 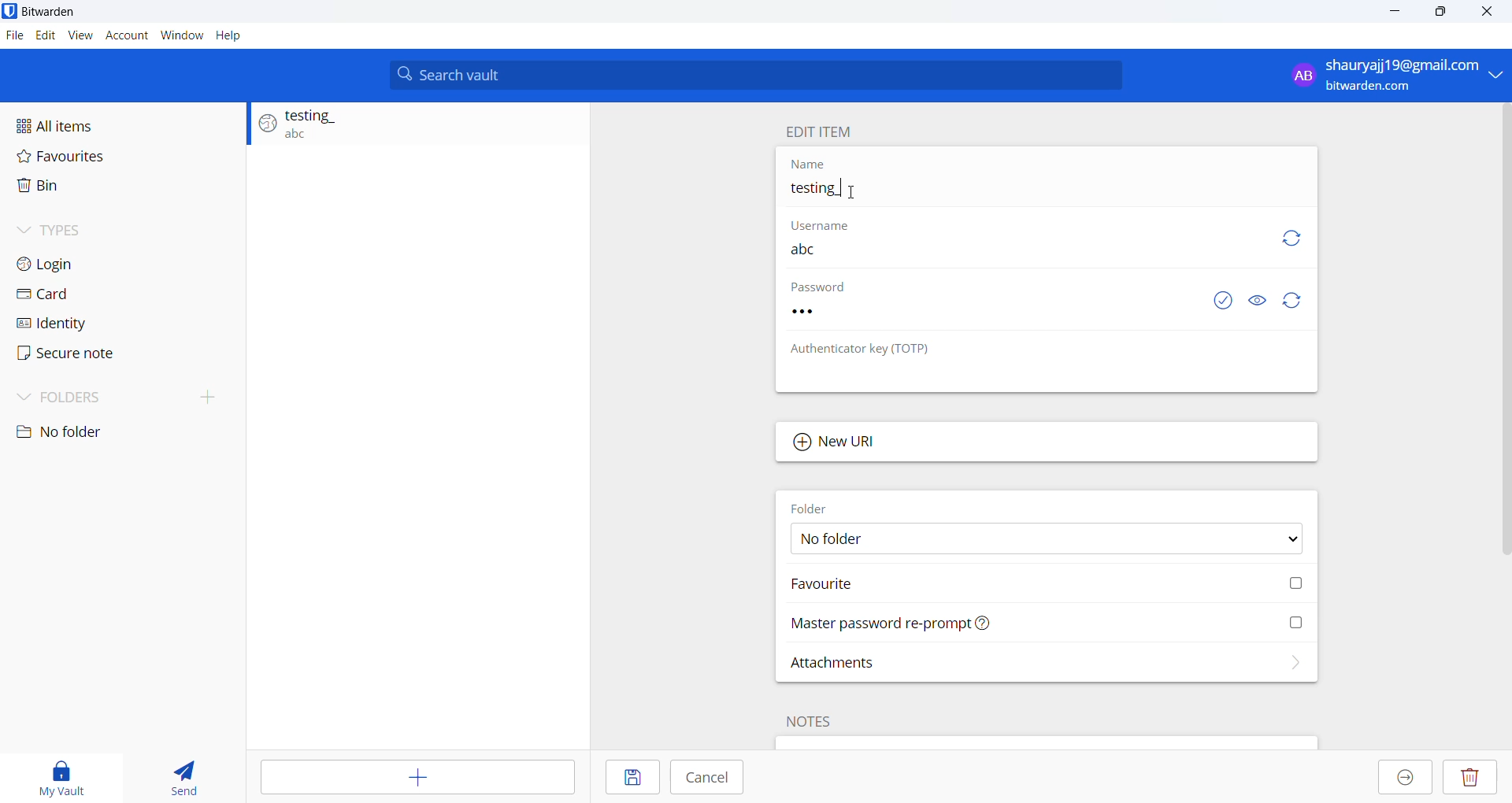 What do you see at coordinates (121, 121) in the screenshot?
I see `All items` at bounding box center [121, 121].